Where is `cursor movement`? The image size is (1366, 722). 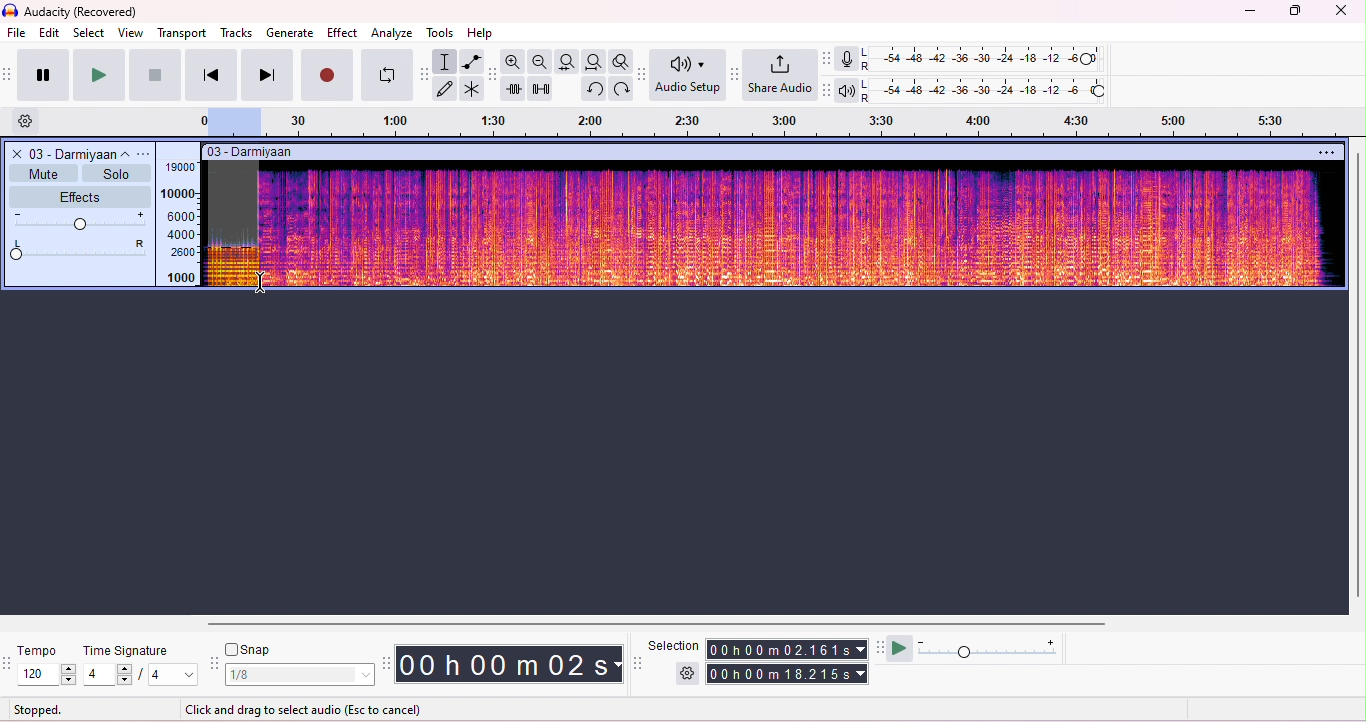
cursor movement is located at coordinates (262, 282).